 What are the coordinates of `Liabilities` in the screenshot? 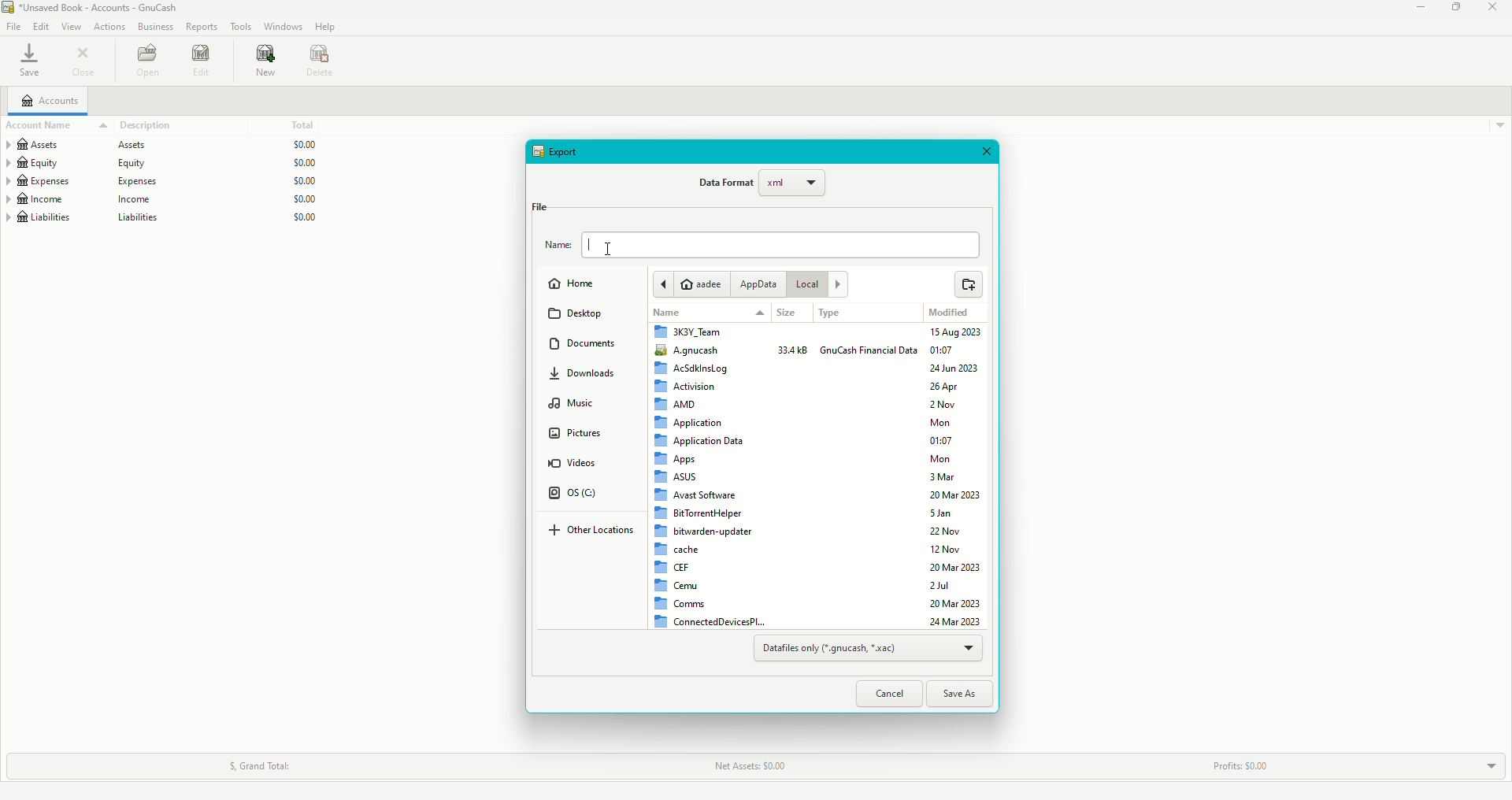 It's located at (165, 220).